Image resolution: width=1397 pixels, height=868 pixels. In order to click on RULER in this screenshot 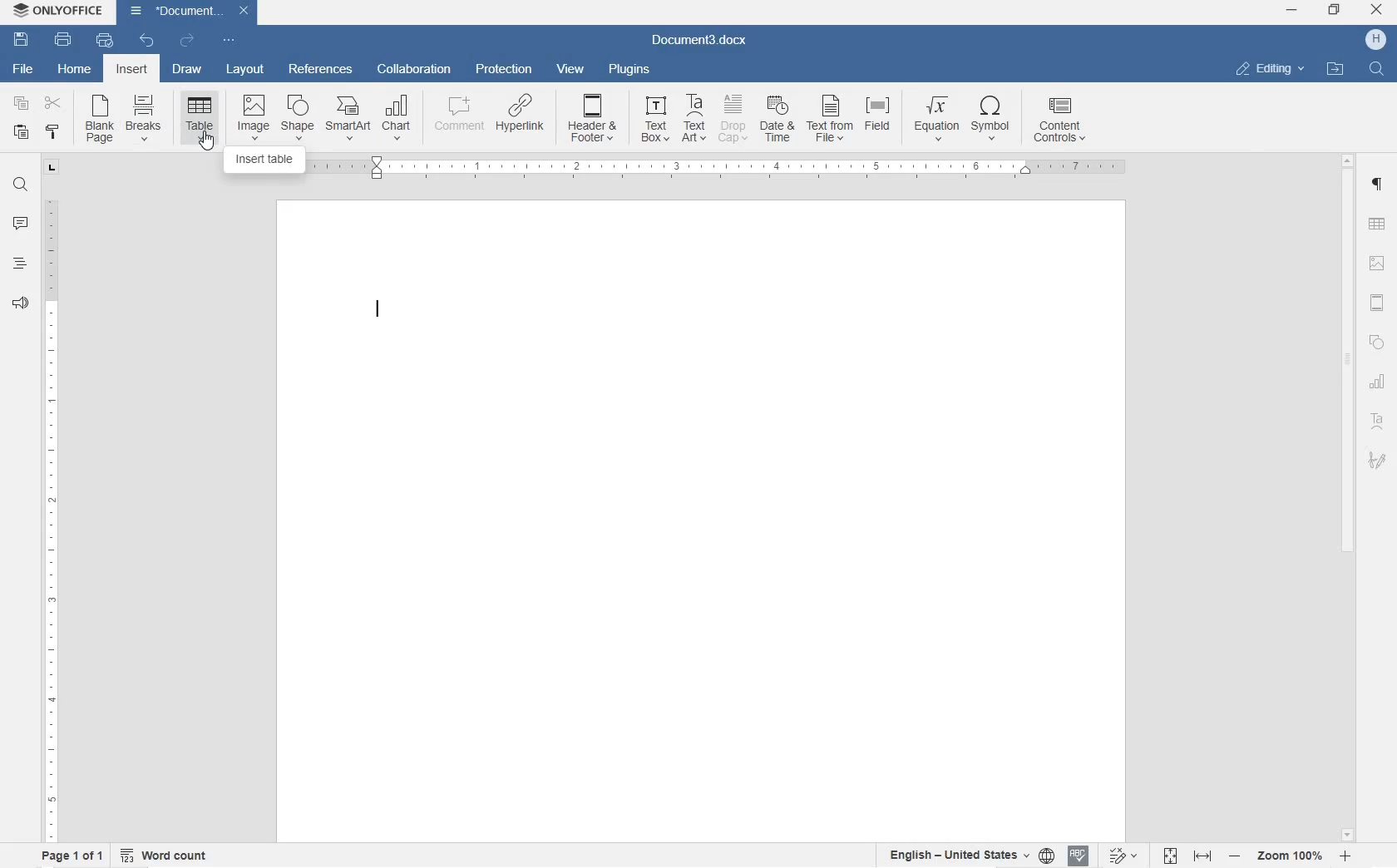, I will do `click(49, 516)`.